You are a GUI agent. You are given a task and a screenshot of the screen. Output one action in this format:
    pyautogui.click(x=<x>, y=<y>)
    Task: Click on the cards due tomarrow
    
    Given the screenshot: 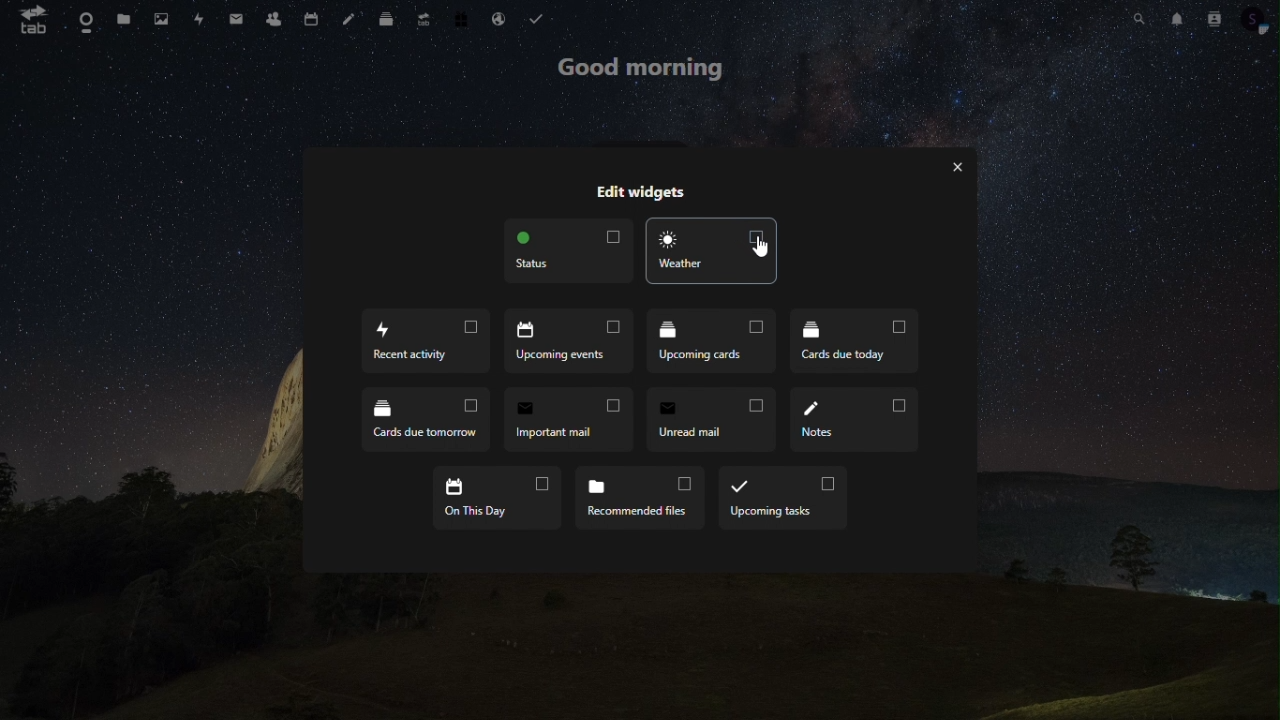 What is the action you would take?
    pyautogui.click(x=427, y=422)
    